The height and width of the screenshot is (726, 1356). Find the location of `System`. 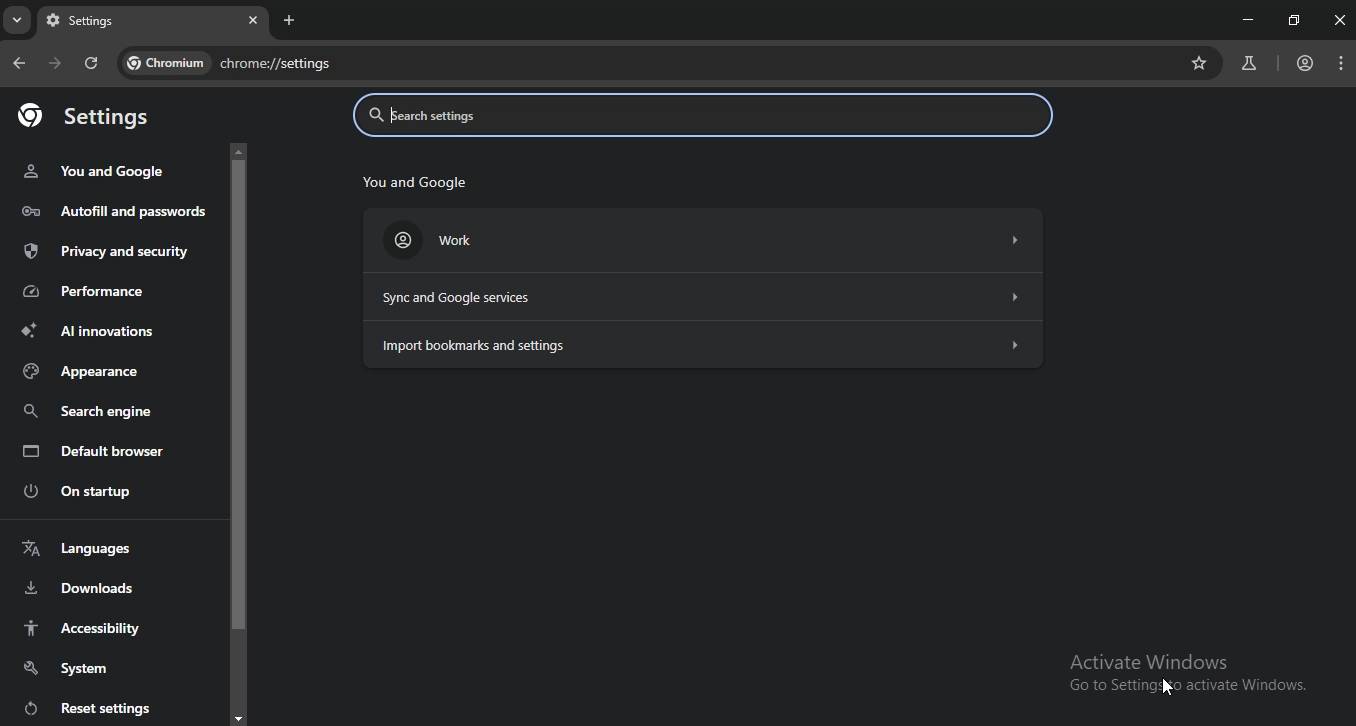

System is located at coordinates (65, 667).